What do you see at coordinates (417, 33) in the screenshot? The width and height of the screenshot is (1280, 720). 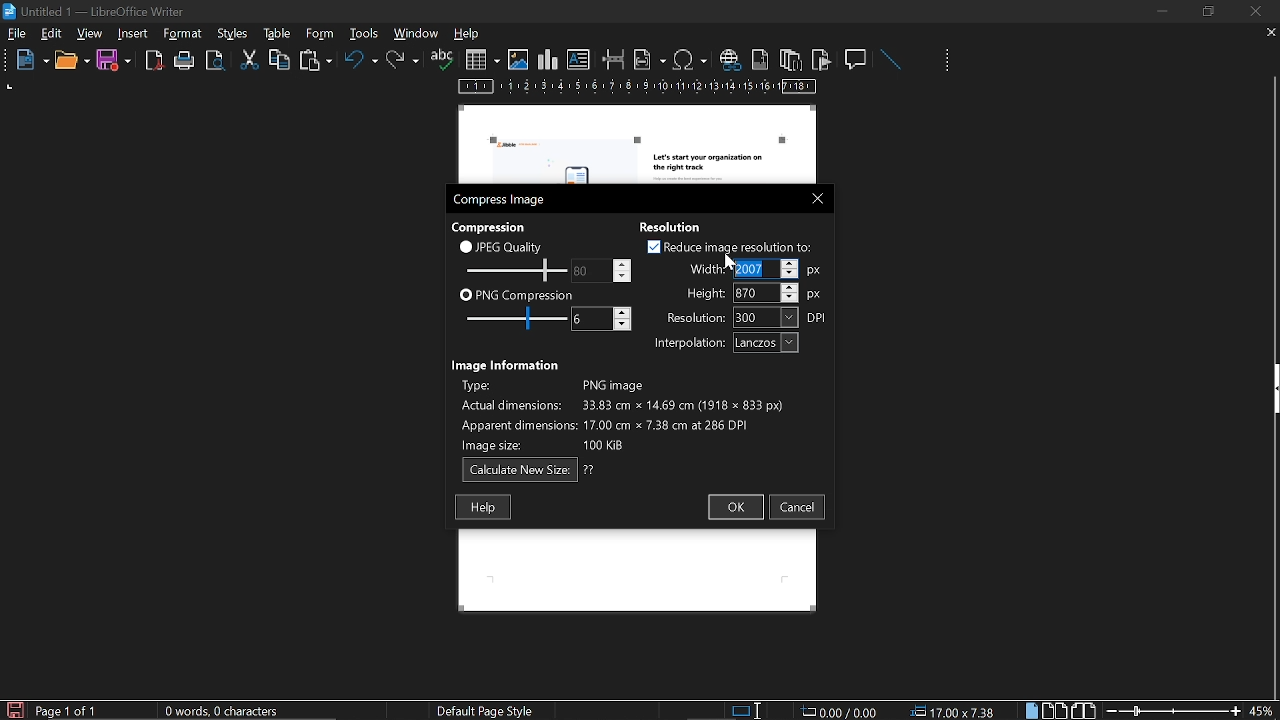 I see `window` at bounding box center [417, 33].